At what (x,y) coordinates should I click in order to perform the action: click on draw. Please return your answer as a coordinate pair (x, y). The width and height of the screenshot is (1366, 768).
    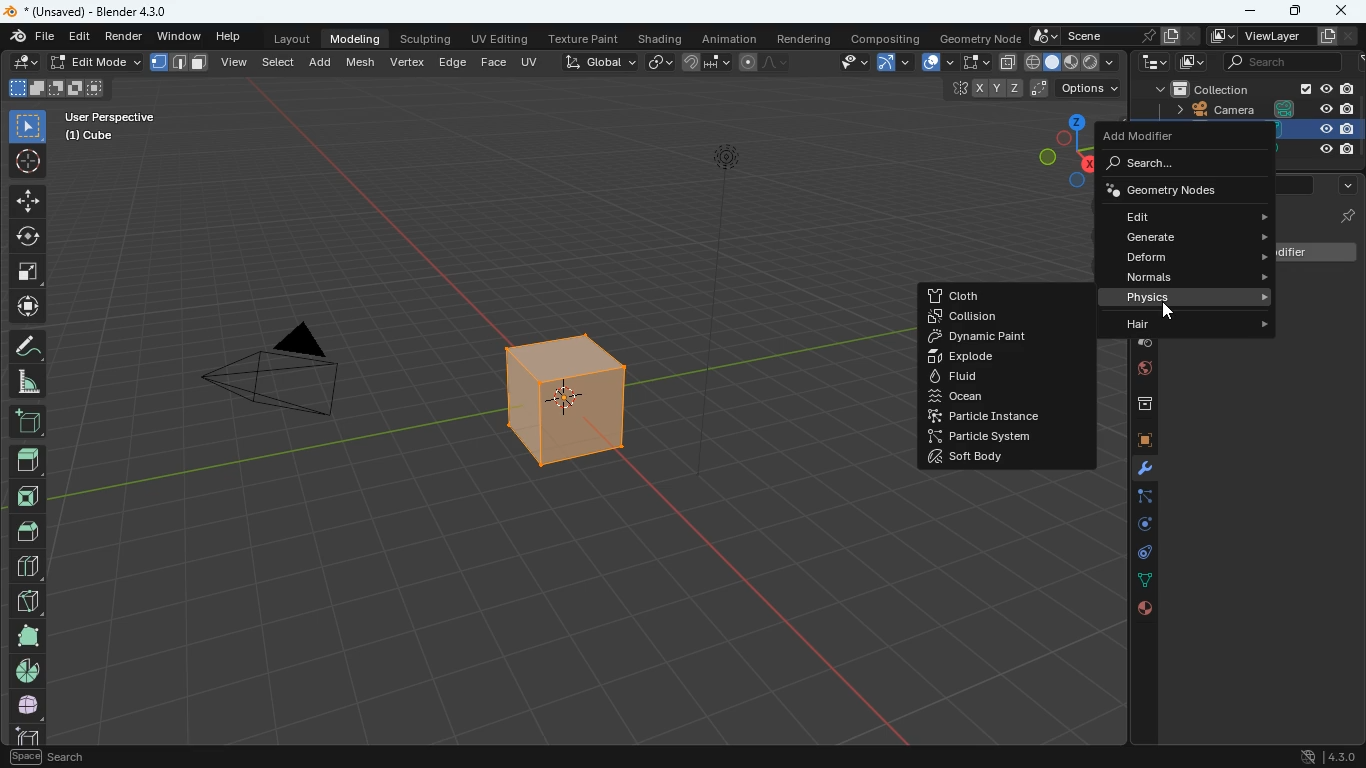
    Looking at the image, I should click on (26, 345).